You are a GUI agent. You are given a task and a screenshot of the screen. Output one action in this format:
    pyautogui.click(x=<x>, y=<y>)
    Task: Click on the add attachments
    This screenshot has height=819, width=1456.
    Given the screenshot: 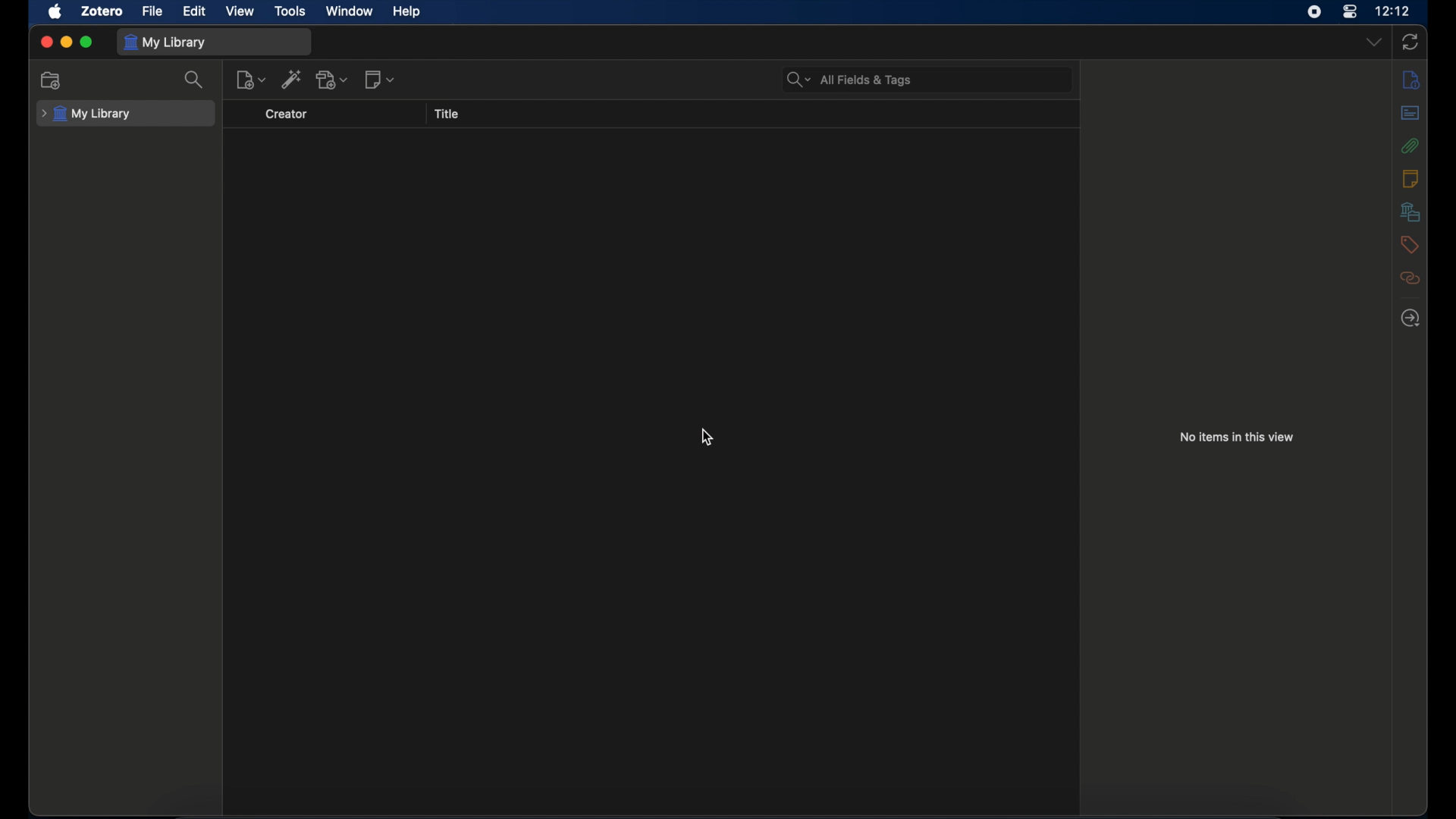 What is the action you would take?
    pyautogui.click(x=333, y=80)
    